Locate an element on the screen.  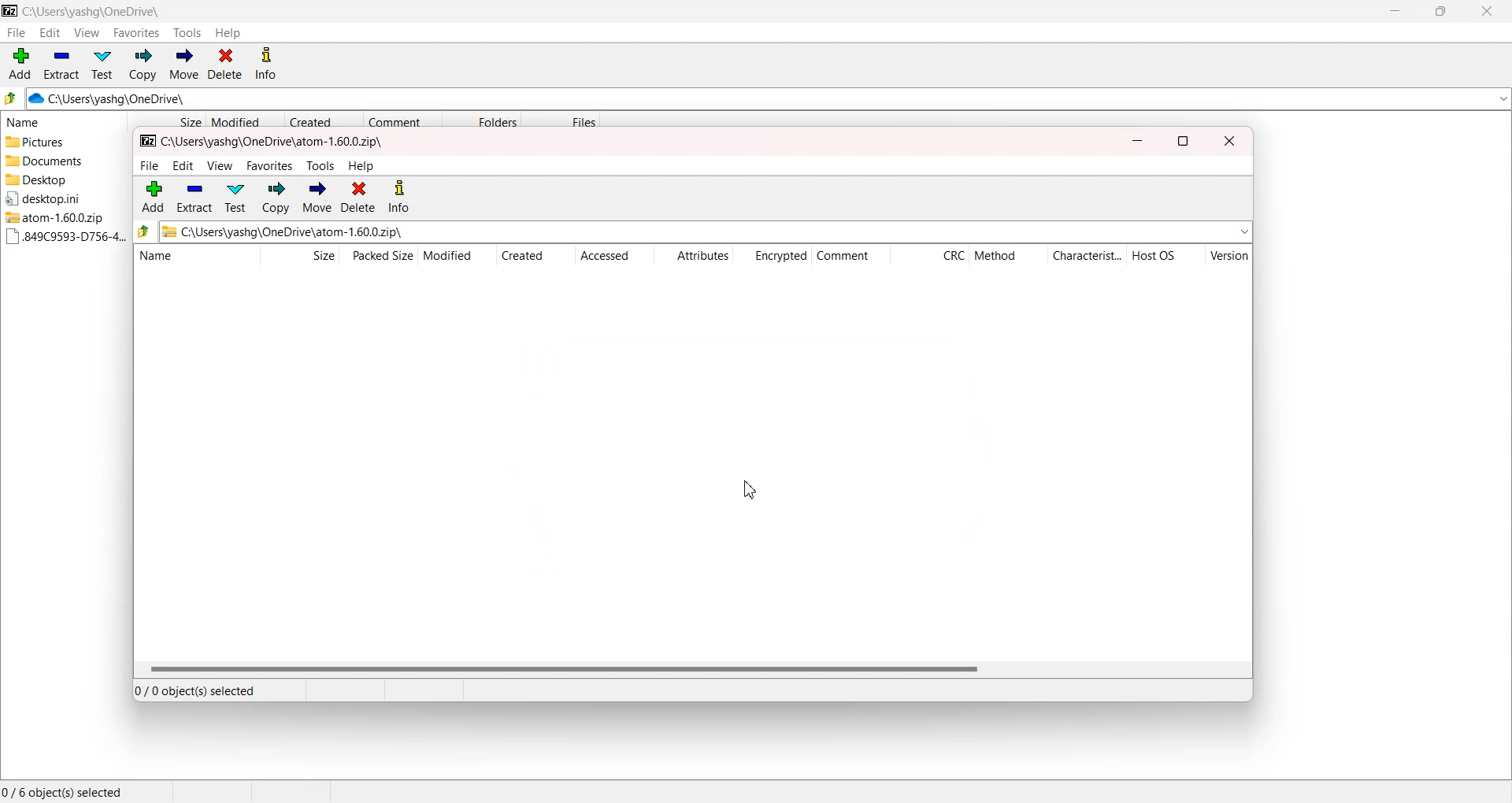
expand is located at coordinates (1244, 231).